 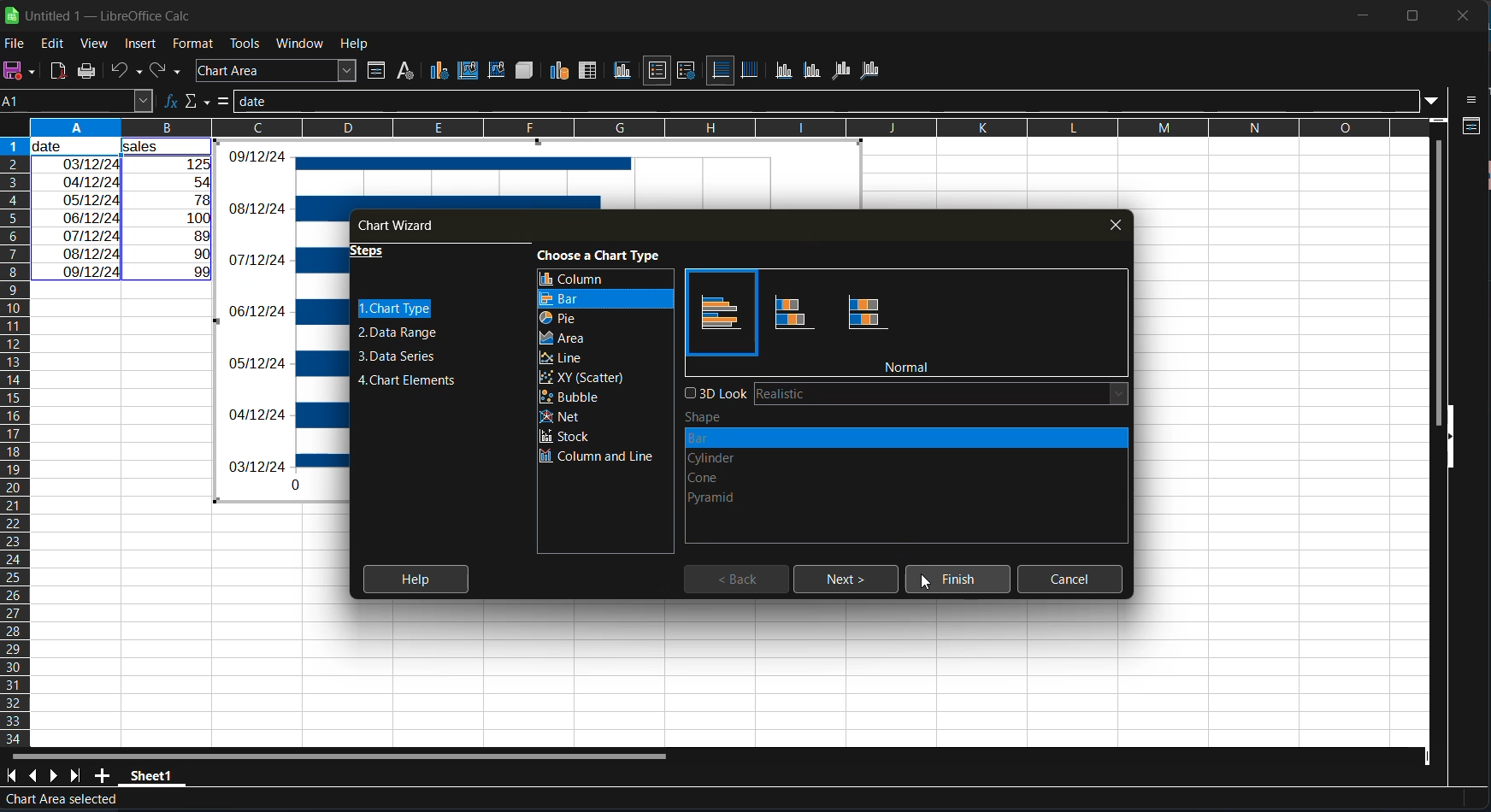 What do you see at coordinates (467, 71) in the screenshot?
I see `chart area` at bounding box center [467, 71].